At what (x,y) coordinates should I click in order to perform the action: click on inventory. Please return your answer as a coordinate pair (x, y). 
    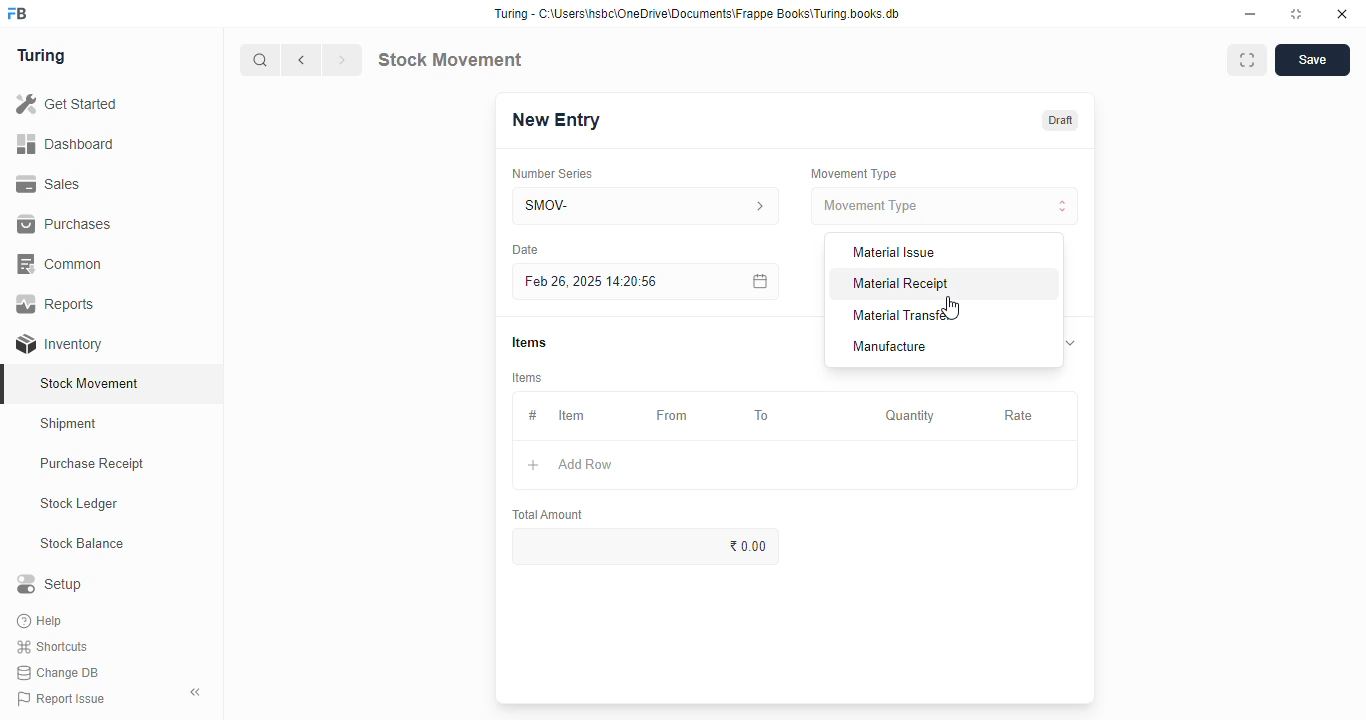
    Looking at the image, I should click on (59, 344).